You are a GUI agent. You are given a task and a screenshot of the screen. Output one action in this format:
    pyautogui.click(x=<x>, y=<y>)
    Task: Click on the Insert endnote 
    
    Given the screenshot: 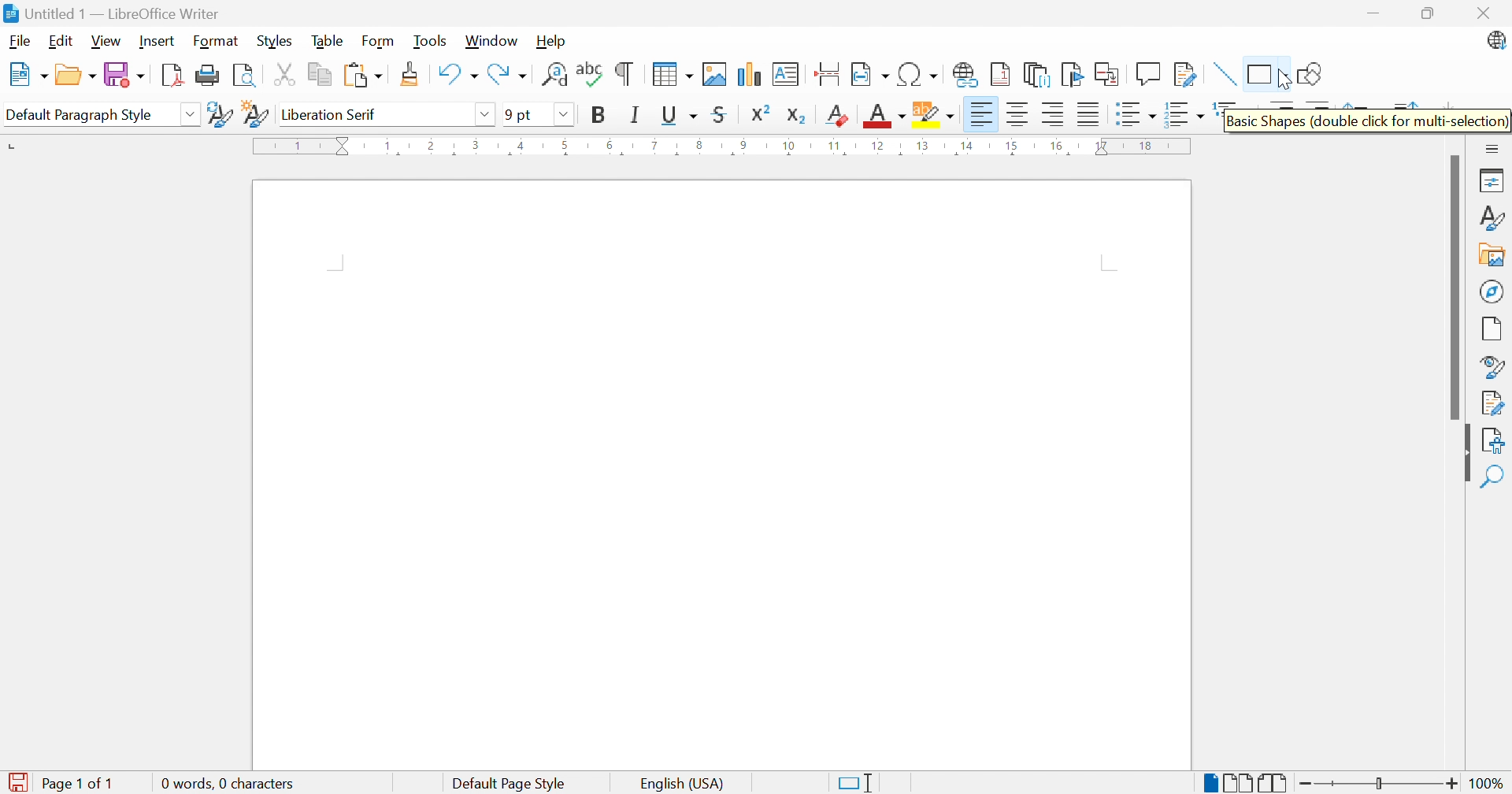 What is the action you would take?
    pyautogui.click(x=1039, y=75)
    